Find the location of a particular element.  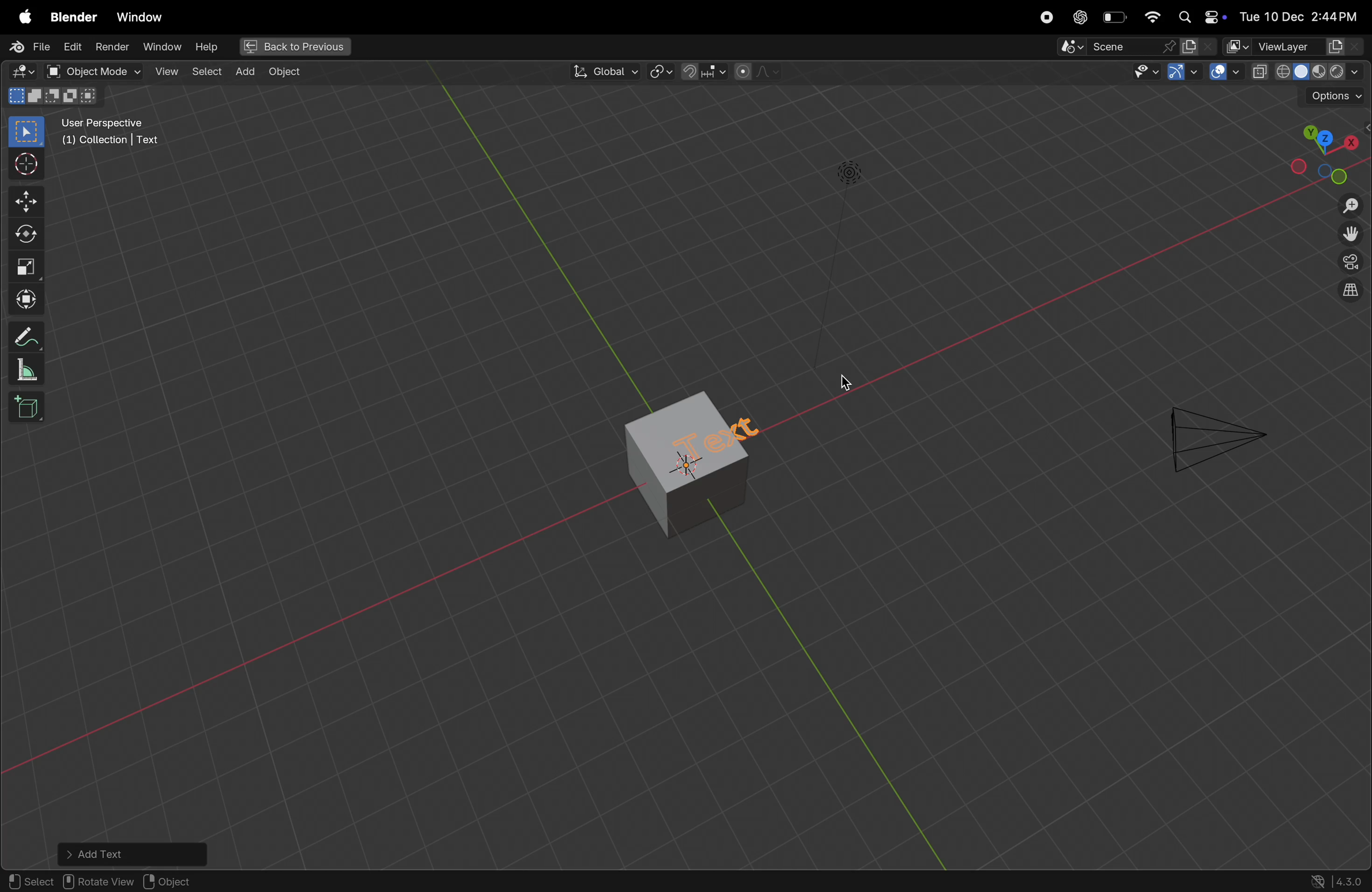

Lights is located at coordinates (847, 174).